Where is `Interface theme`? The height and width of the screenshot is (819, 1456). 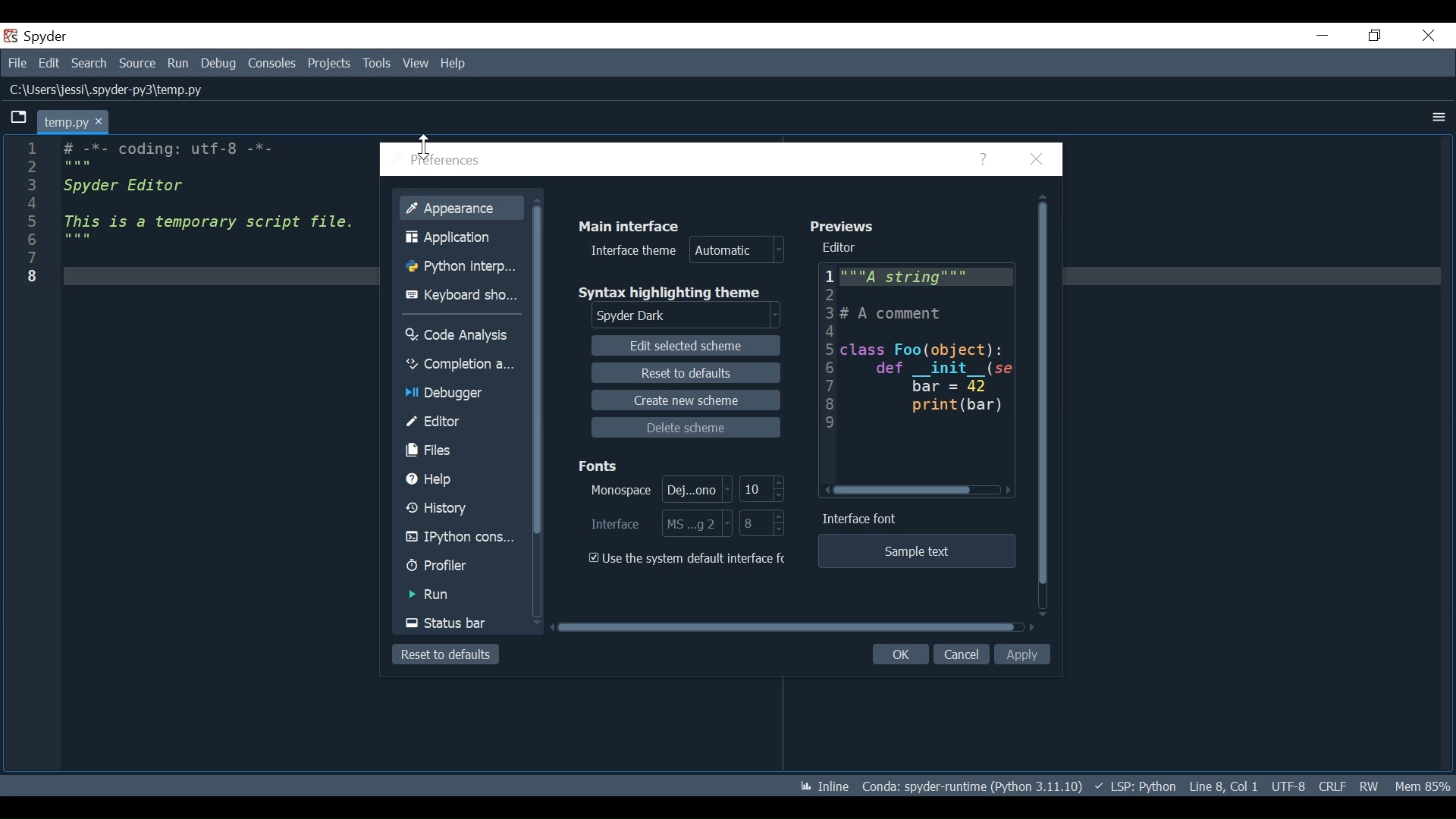
Interface theme is located at coordinates (686, 250).